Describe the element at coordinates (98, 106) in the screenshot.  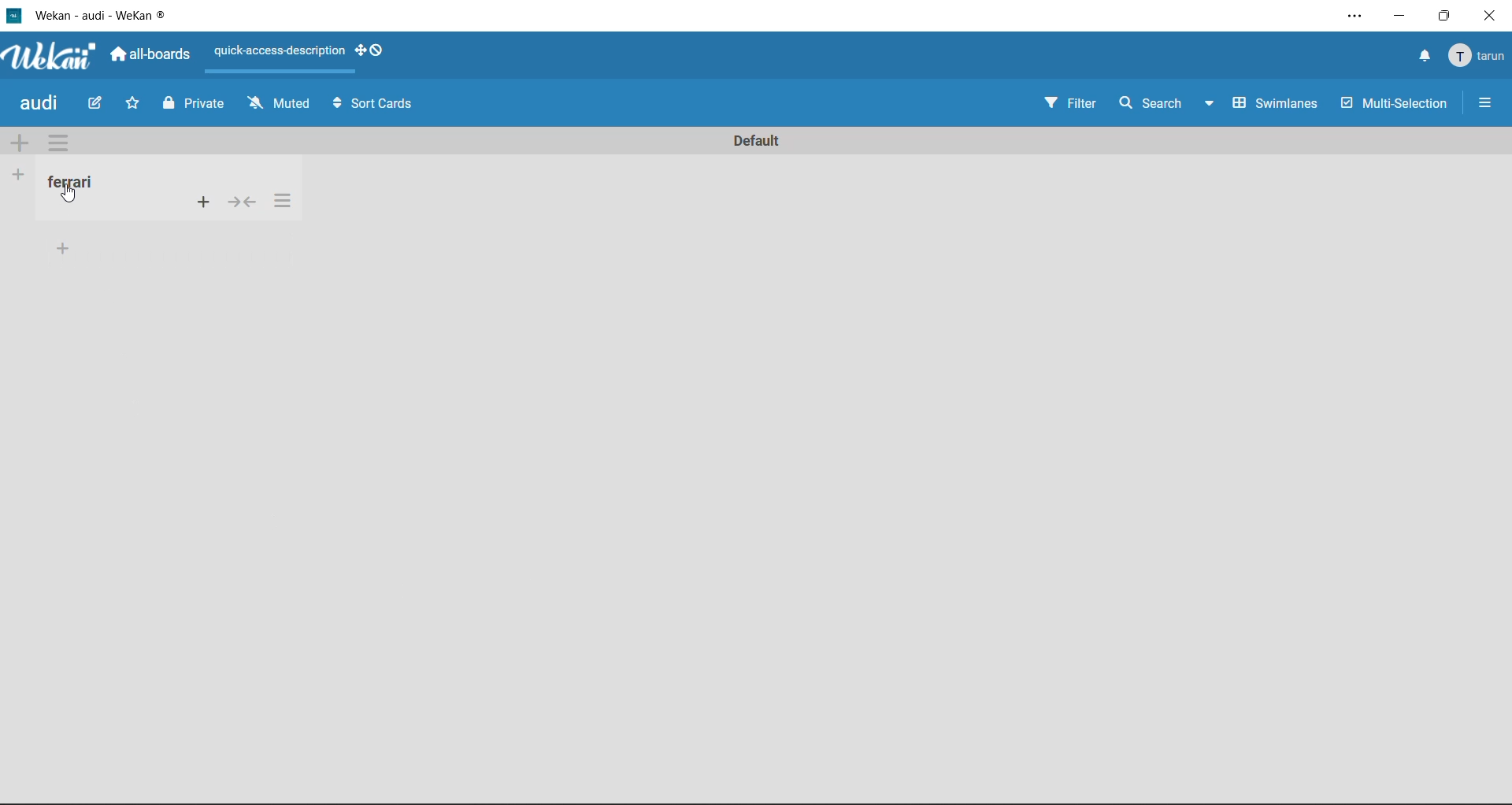
I see `edit` at that location.